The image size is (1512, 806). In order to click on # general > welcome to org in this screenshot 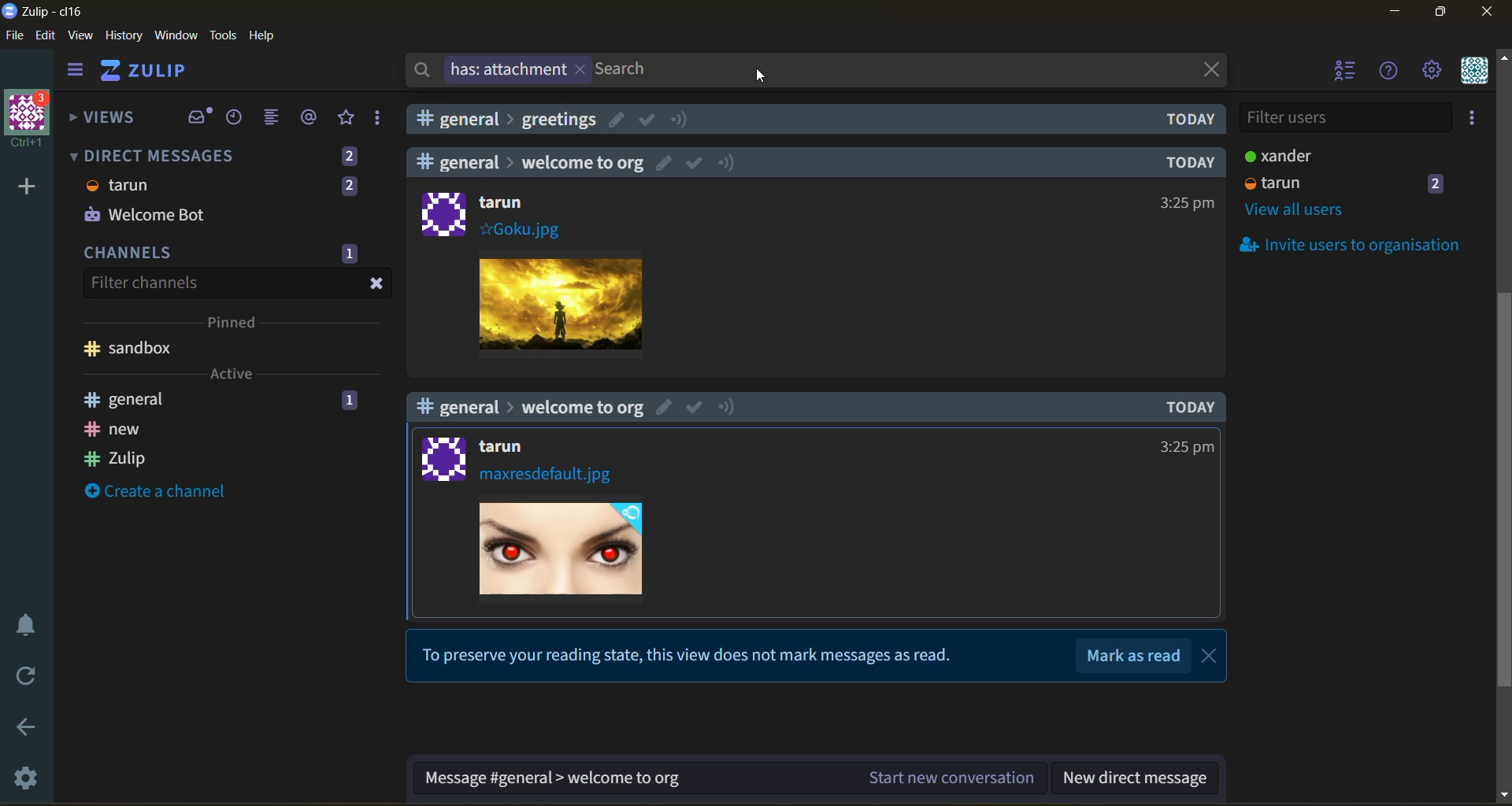, I will do `click(529, 161)`.